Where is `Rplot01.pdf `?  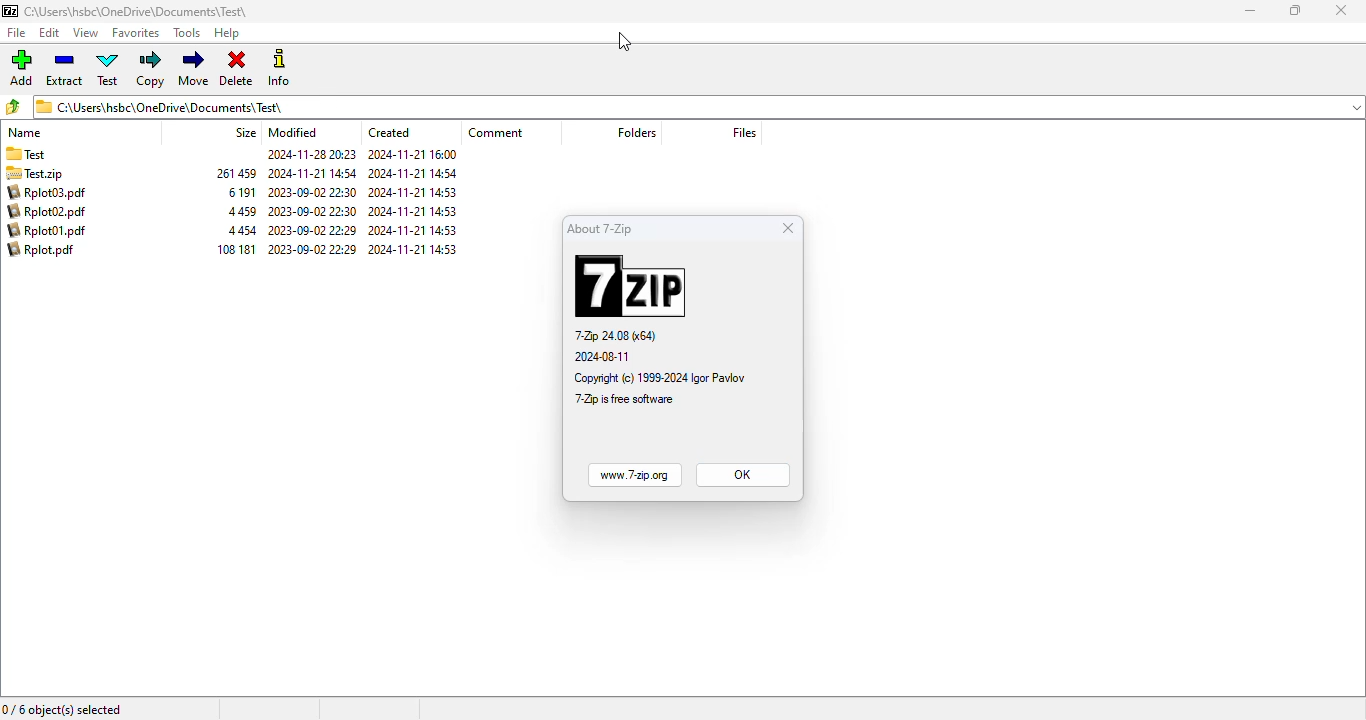 Rplot01.pdf  is located at coordinates (48, 230).